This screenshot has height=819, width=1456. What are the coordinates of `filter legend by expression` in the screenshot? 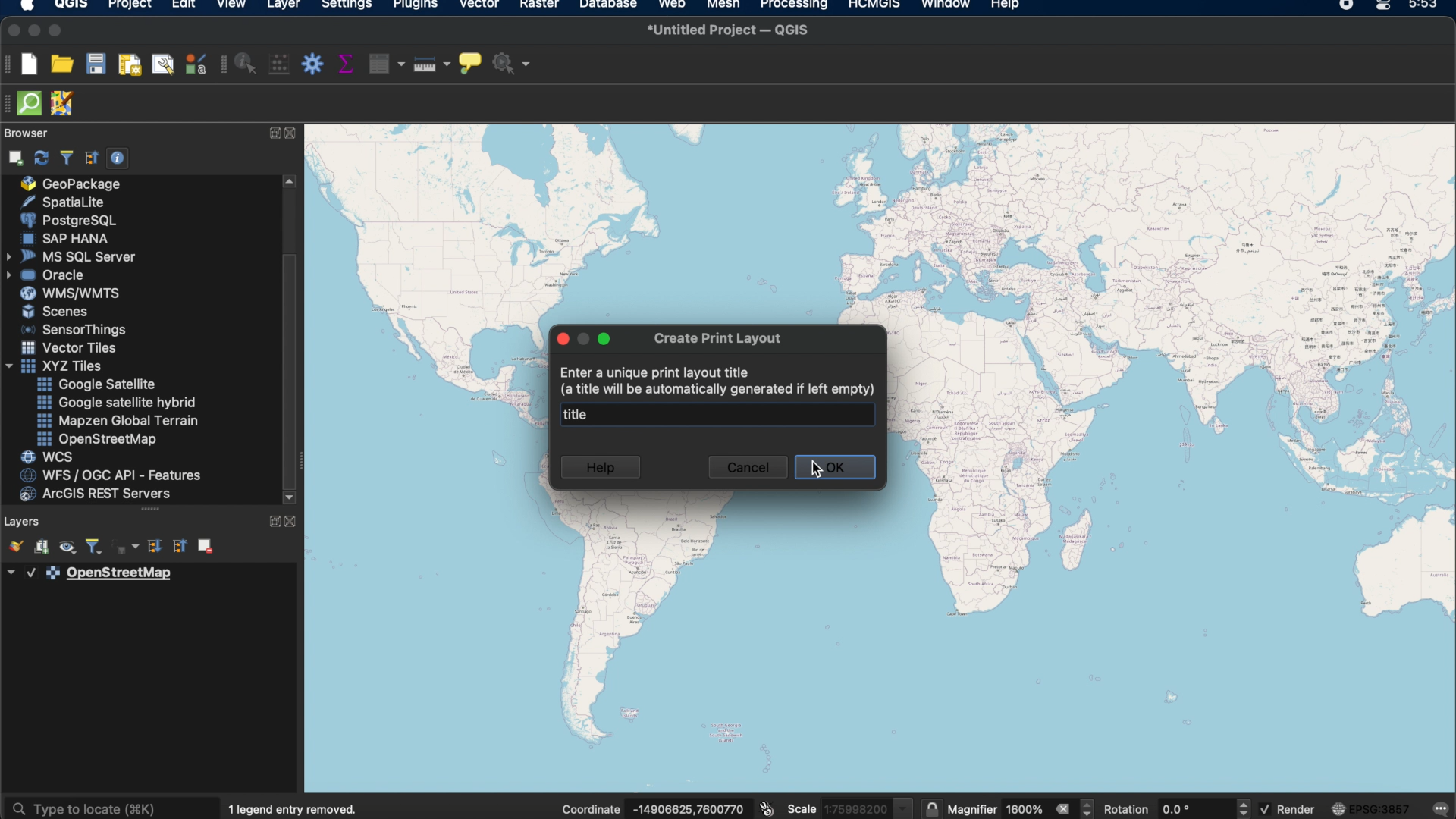 It's located at (125, 547).